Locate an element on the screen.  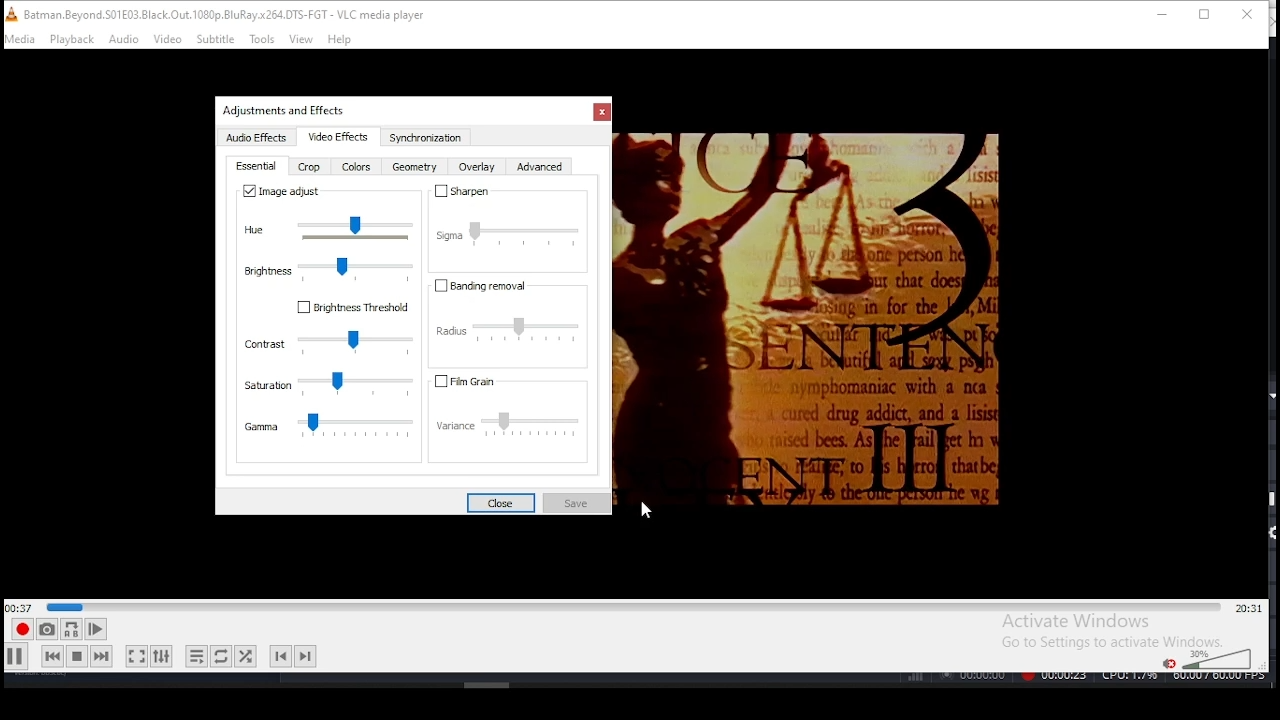
record is located at coordinates (21, 630).